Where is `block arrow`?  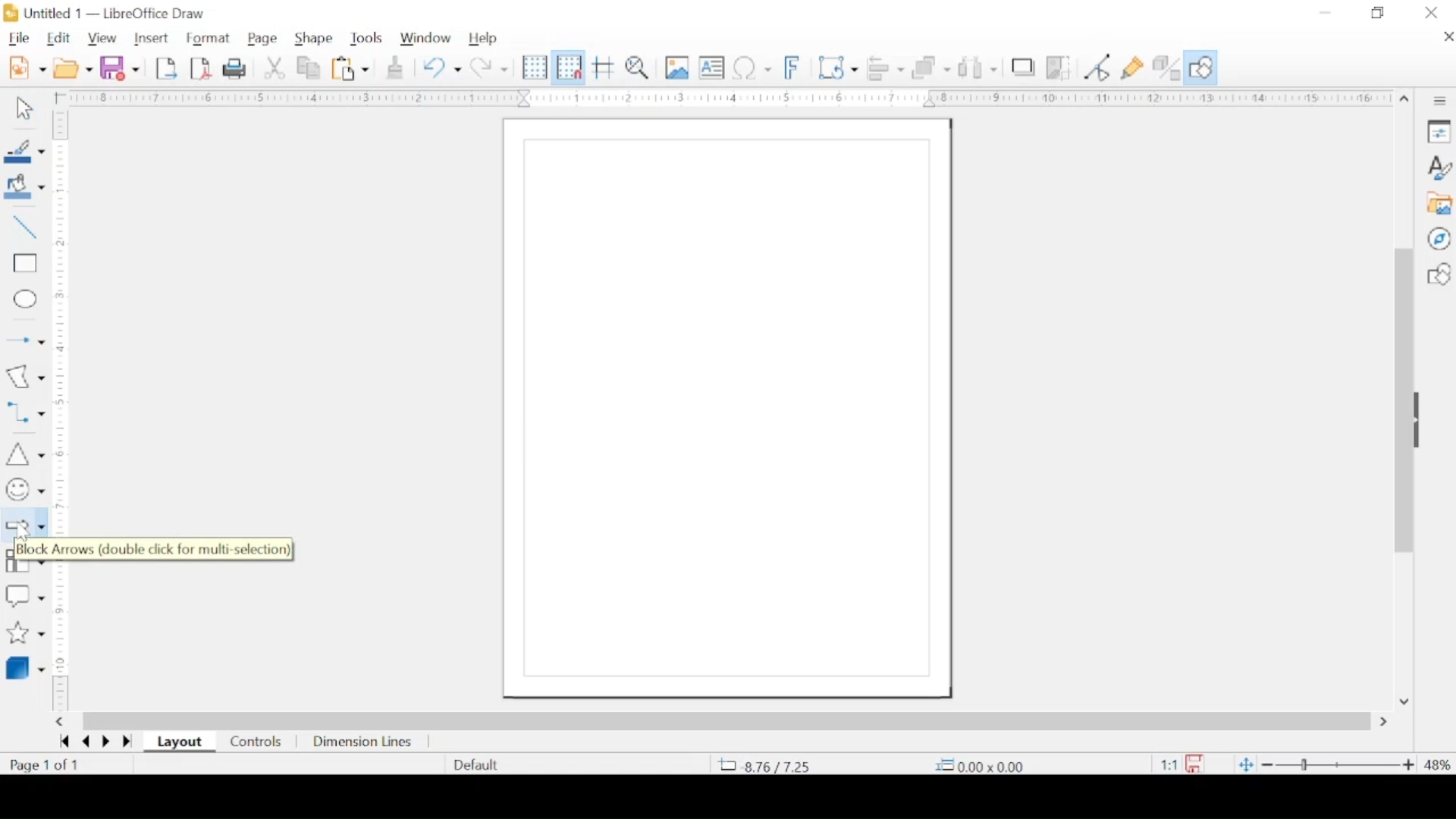
block arrow is located at coordinates (24, 525).